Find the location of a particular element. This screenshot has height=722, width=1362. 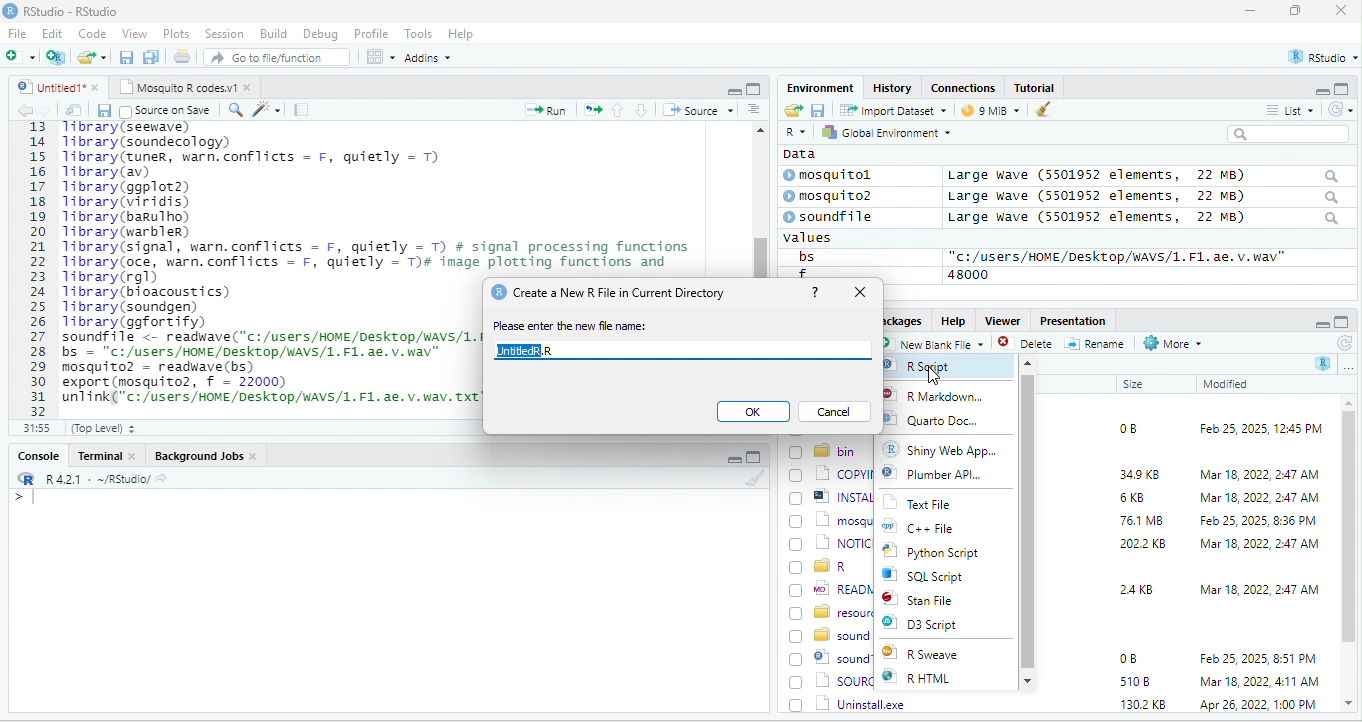

R is located at coordinates (794, 133).